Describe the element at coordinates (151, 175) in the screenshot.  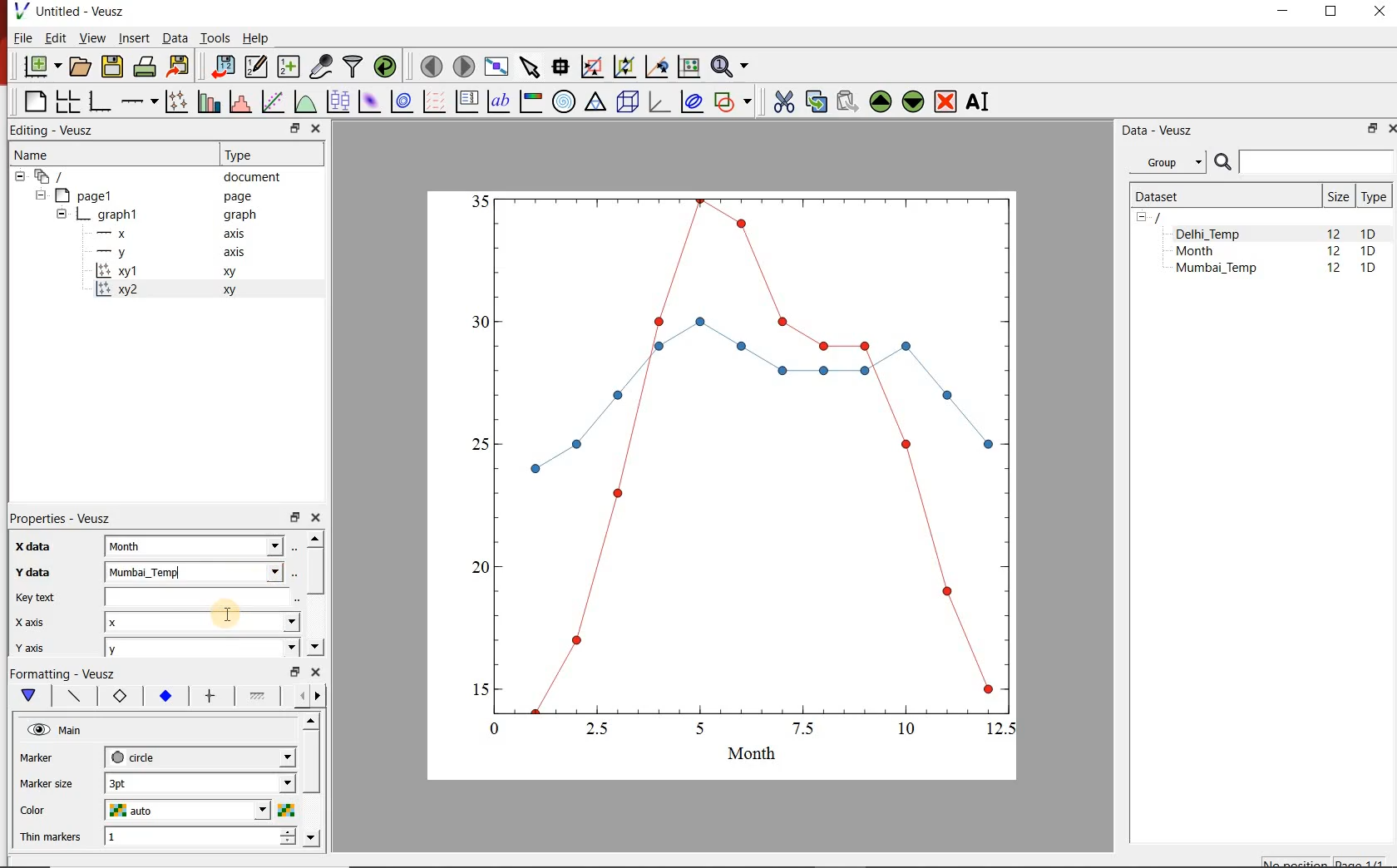
I see `document` at that location.